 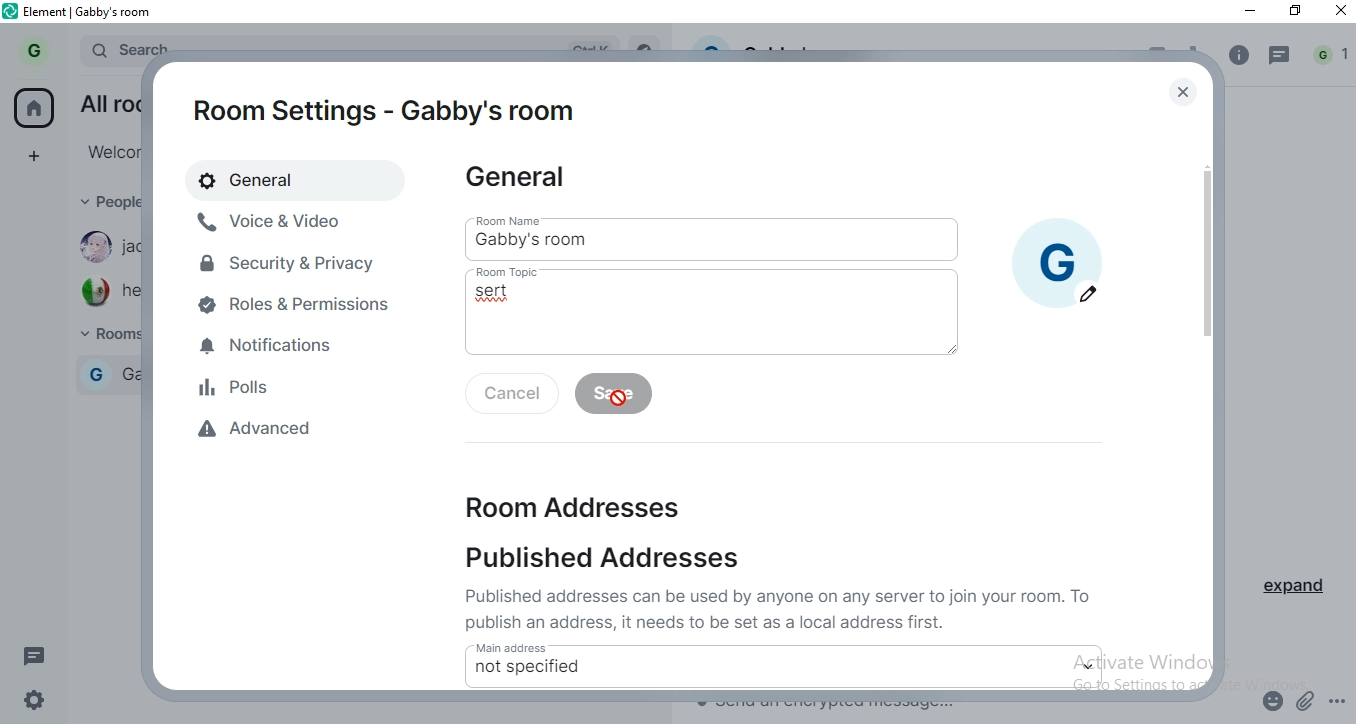 What do you see at coordinates (529, 668) in the screenshot?
I see `not specified` at bounding box center [529, 668].